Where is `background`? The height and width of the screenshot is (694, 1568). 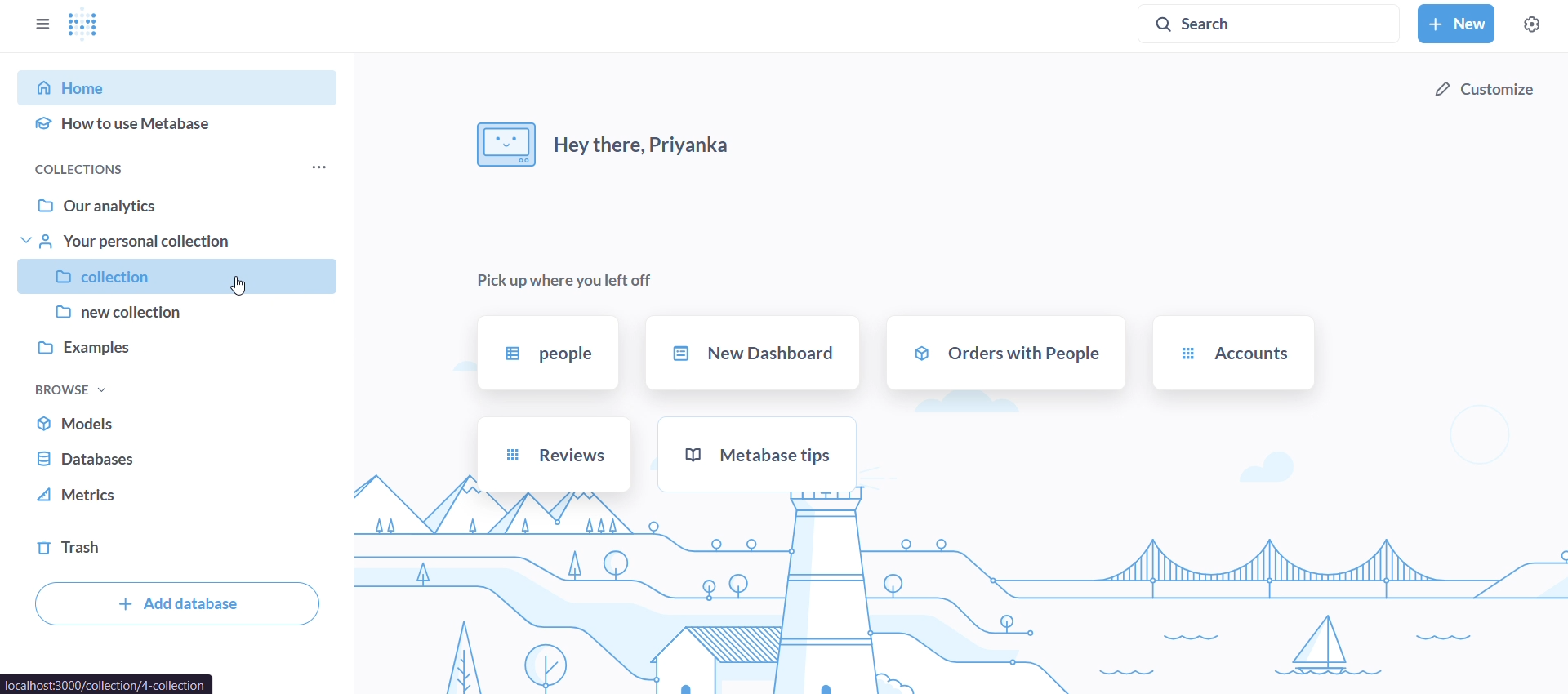
background is located at coordinates (962, 600).